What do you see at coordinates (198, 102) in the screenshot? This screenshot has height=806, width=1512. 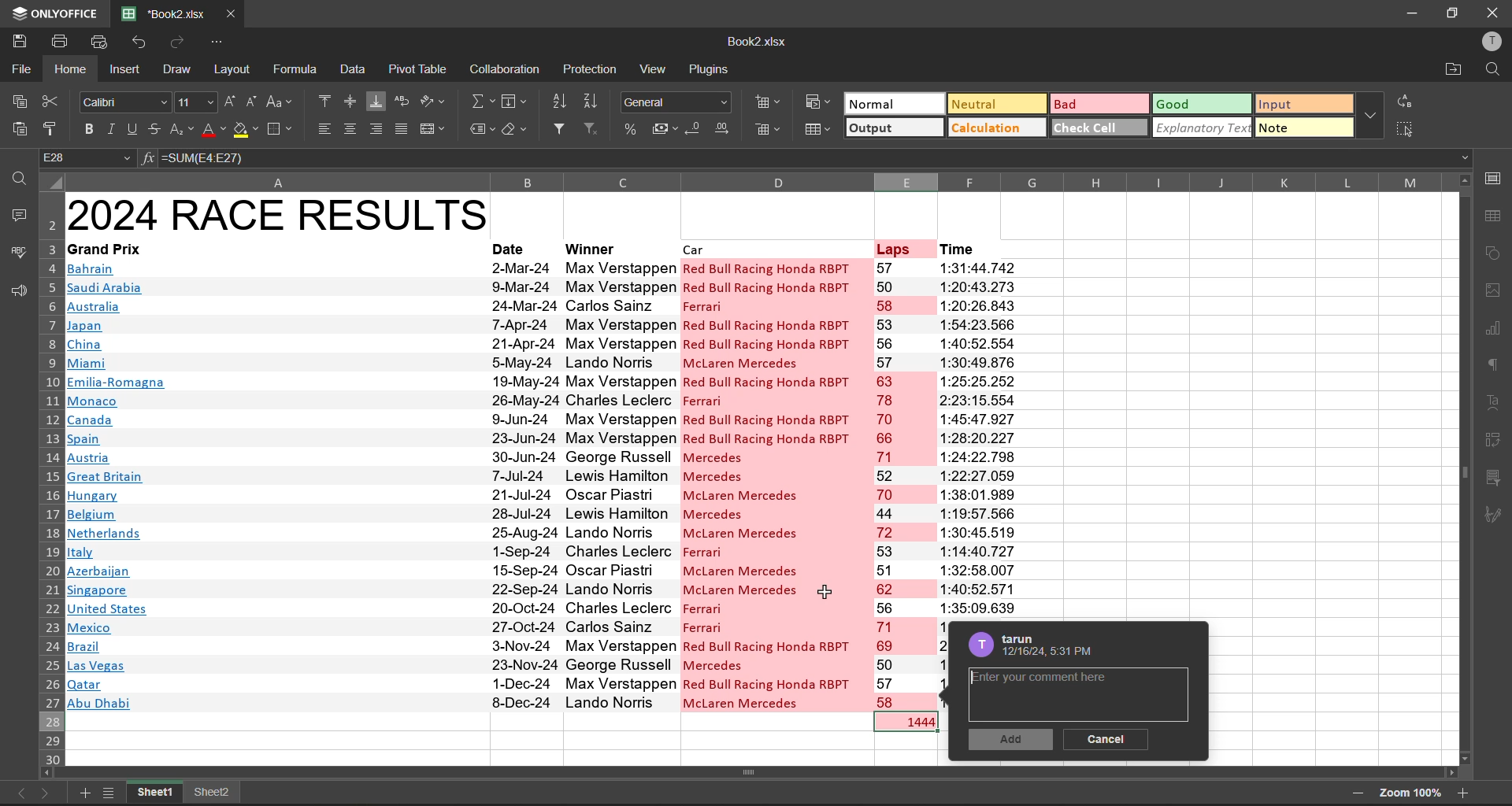 I see `font size` at bounding box center [198, 102].